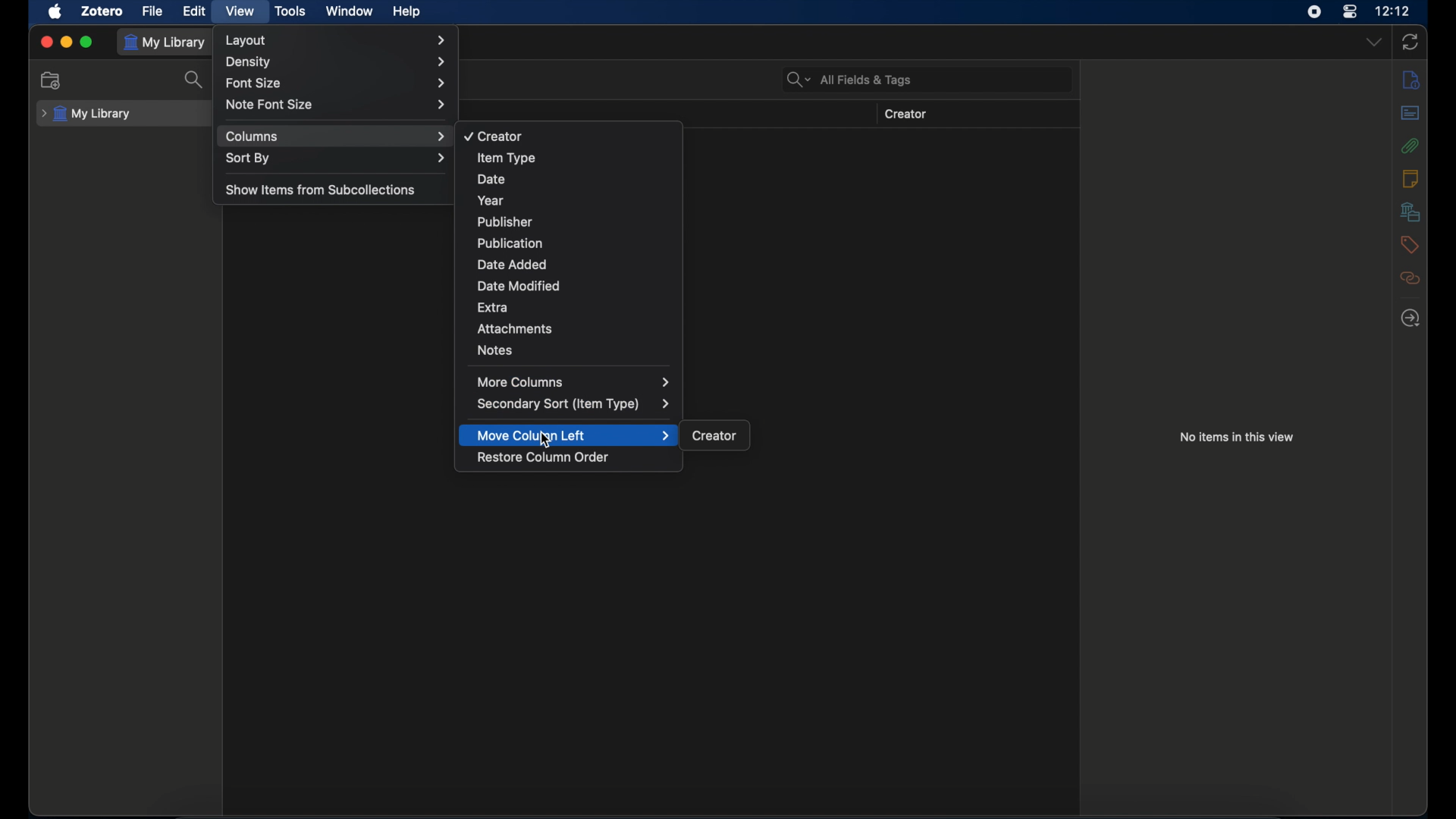  What do you see at coordinates (516, 328) in the screenshot?
I see `attachments` at bounding box center [516, 328].